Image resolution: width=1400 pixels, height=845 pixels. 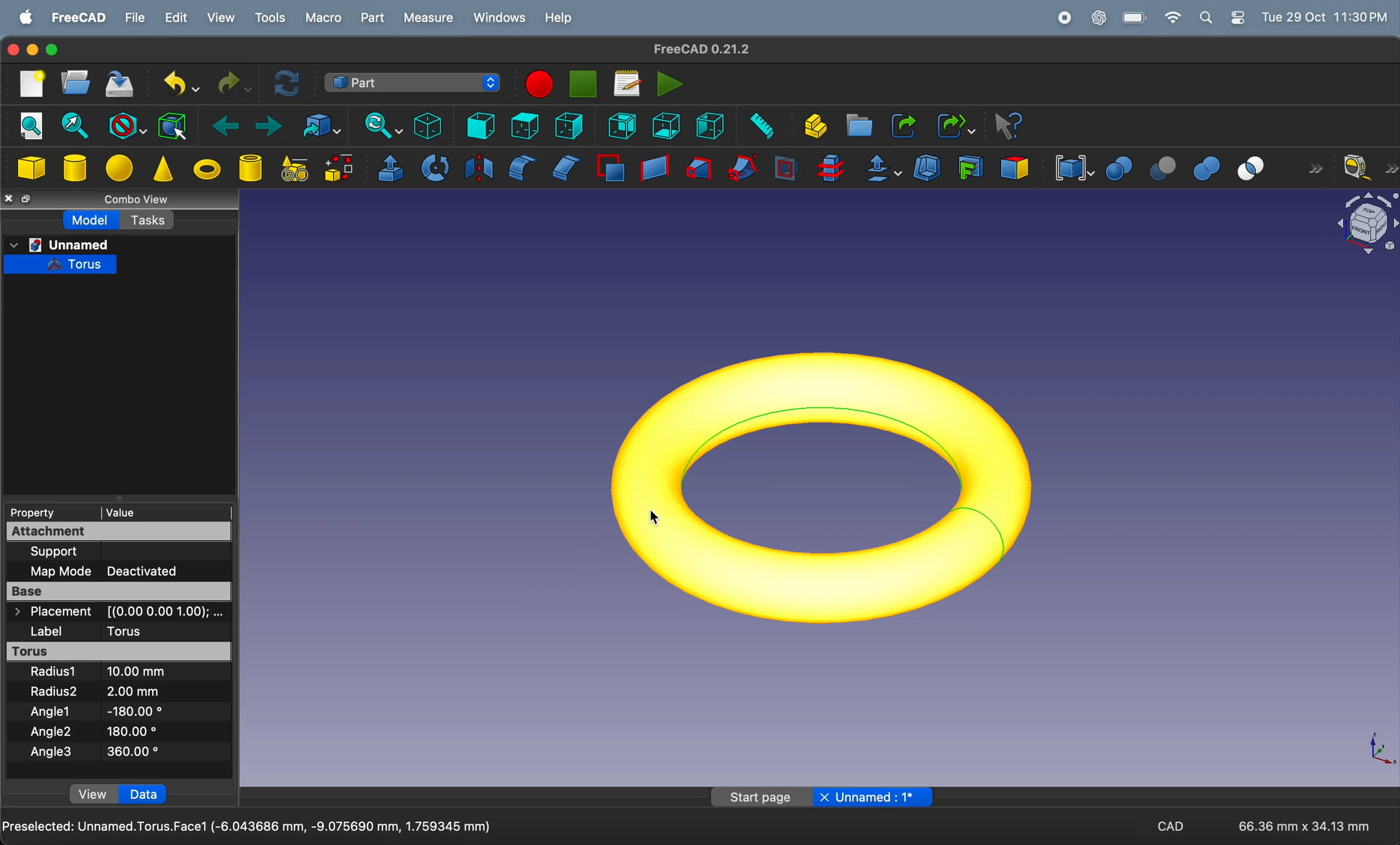 I want to click on offset, so click(x=881, y=169).